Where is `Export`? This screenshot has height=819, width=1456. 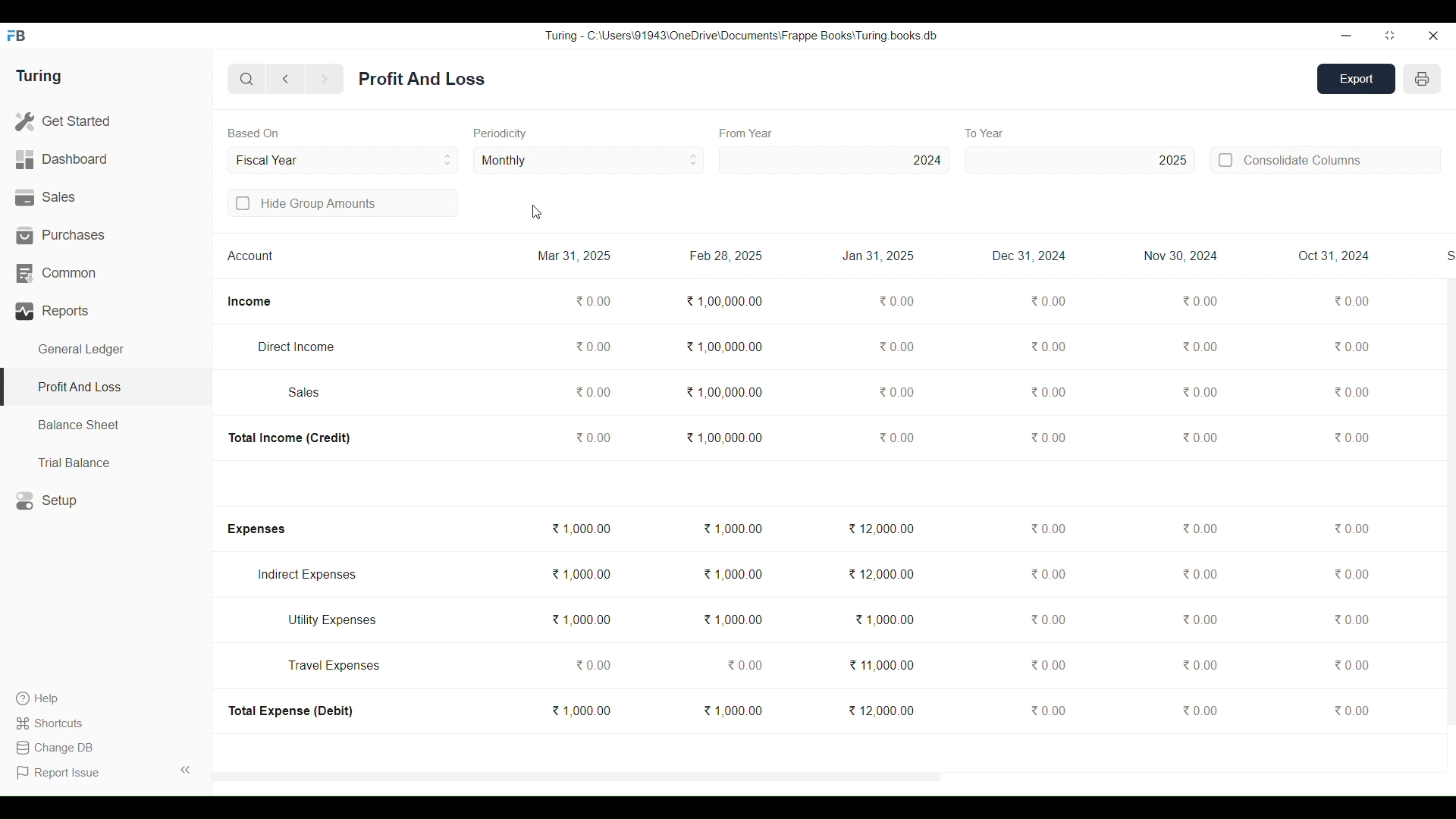 Export is located at coordinates (1357, 79).